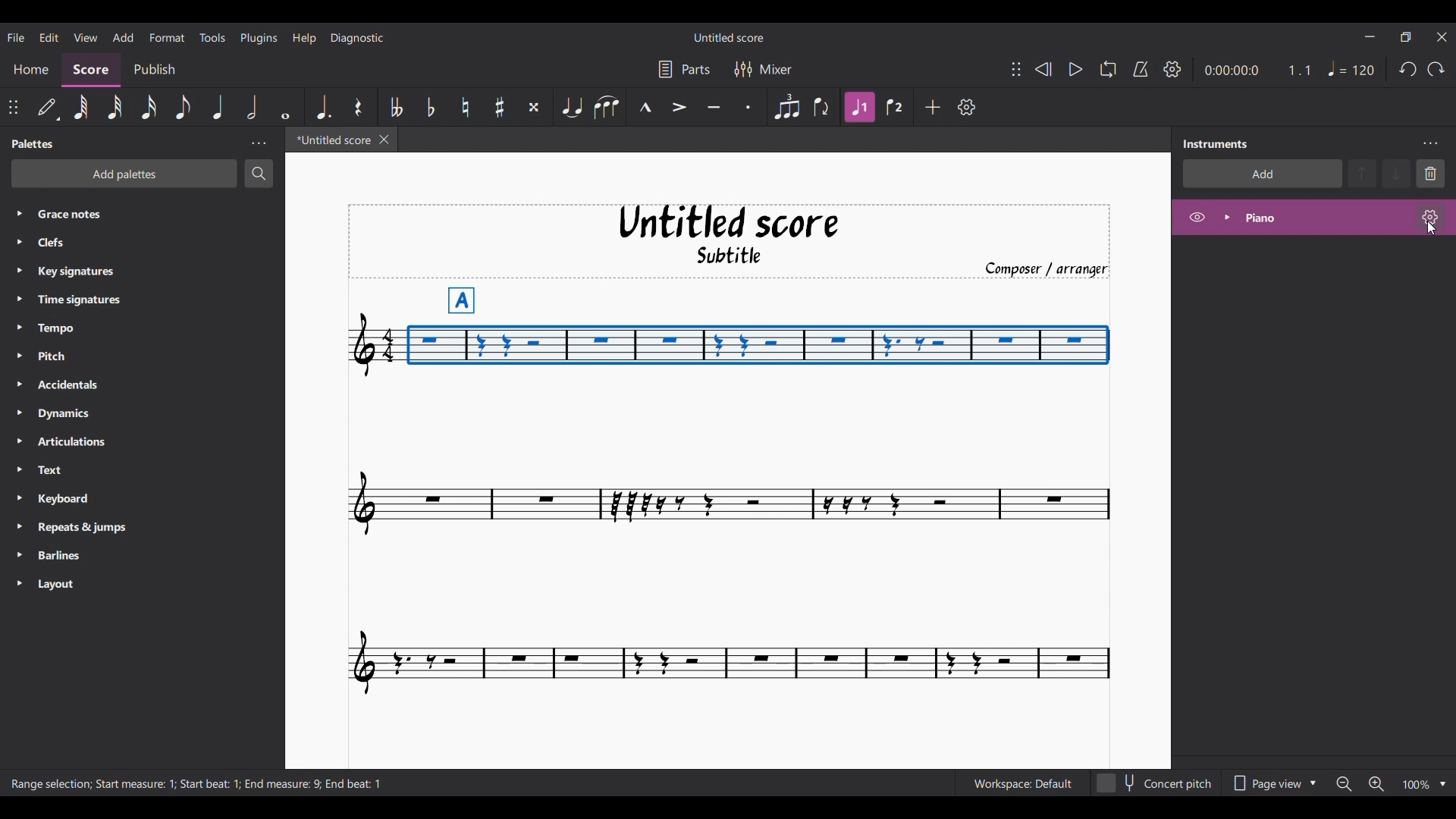  Describe the element at coordinates (728, 37) in the screenshot. I see `Score name` at that location.